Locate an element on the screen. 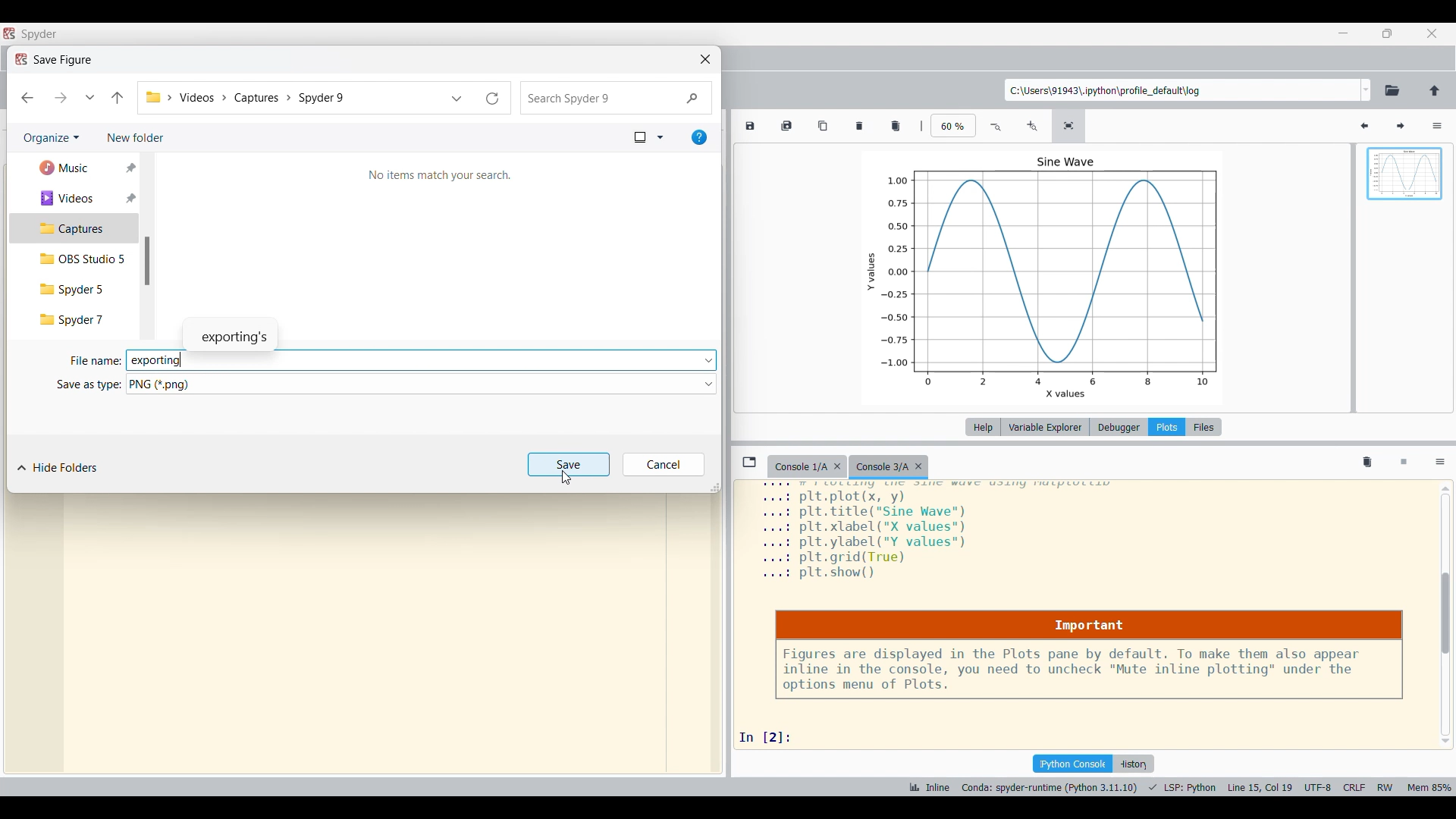 This screenshot has height=819, width=1456. Copy plot to clipboard as image is located at coordinates (824, 125).